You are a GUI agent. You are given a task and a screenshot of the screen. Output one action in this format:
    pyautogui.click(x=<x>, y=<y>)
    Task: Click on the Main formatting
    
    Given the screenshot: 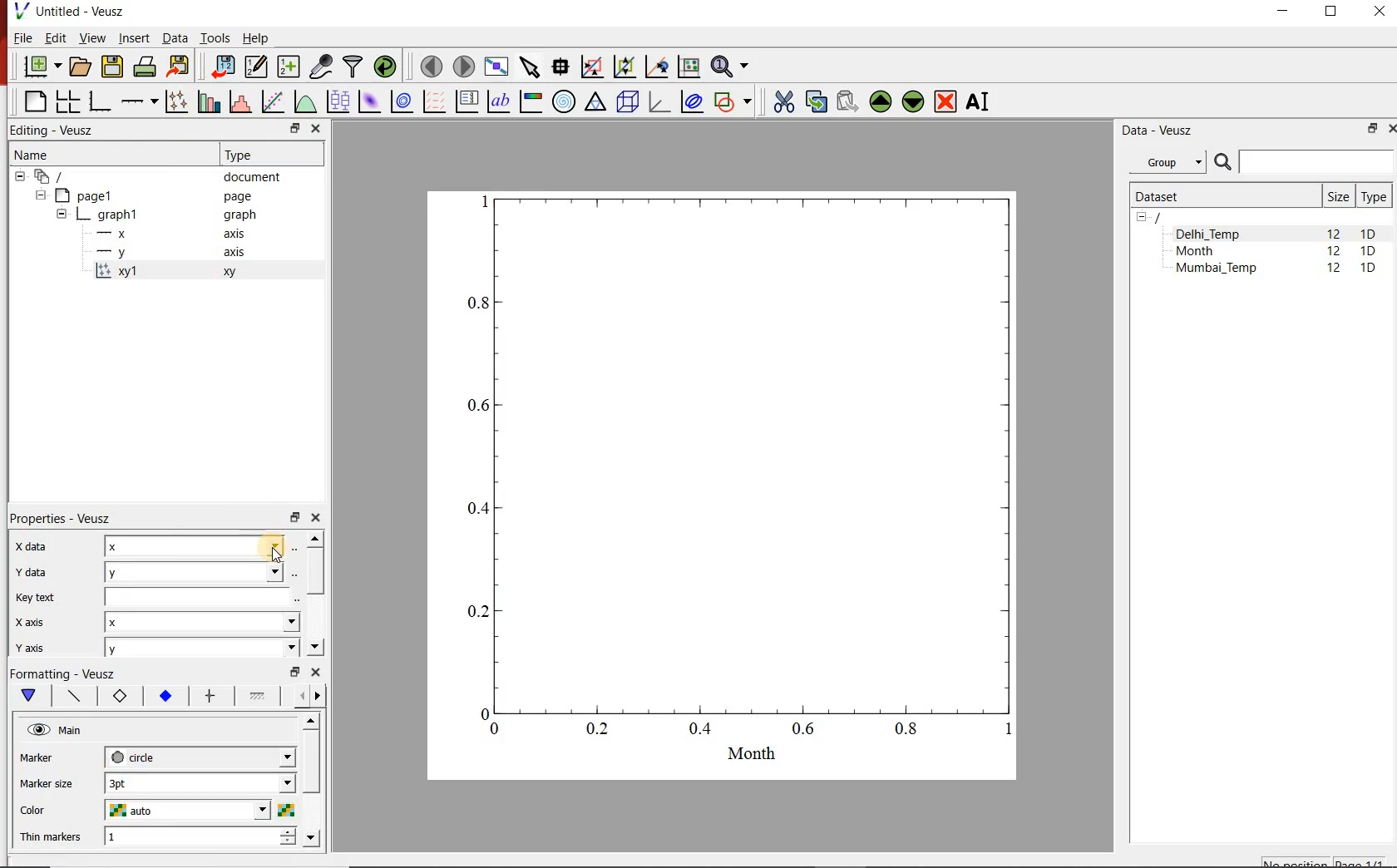 What is the action you would take?
    pyautogui.click(x=26, y=696)
    